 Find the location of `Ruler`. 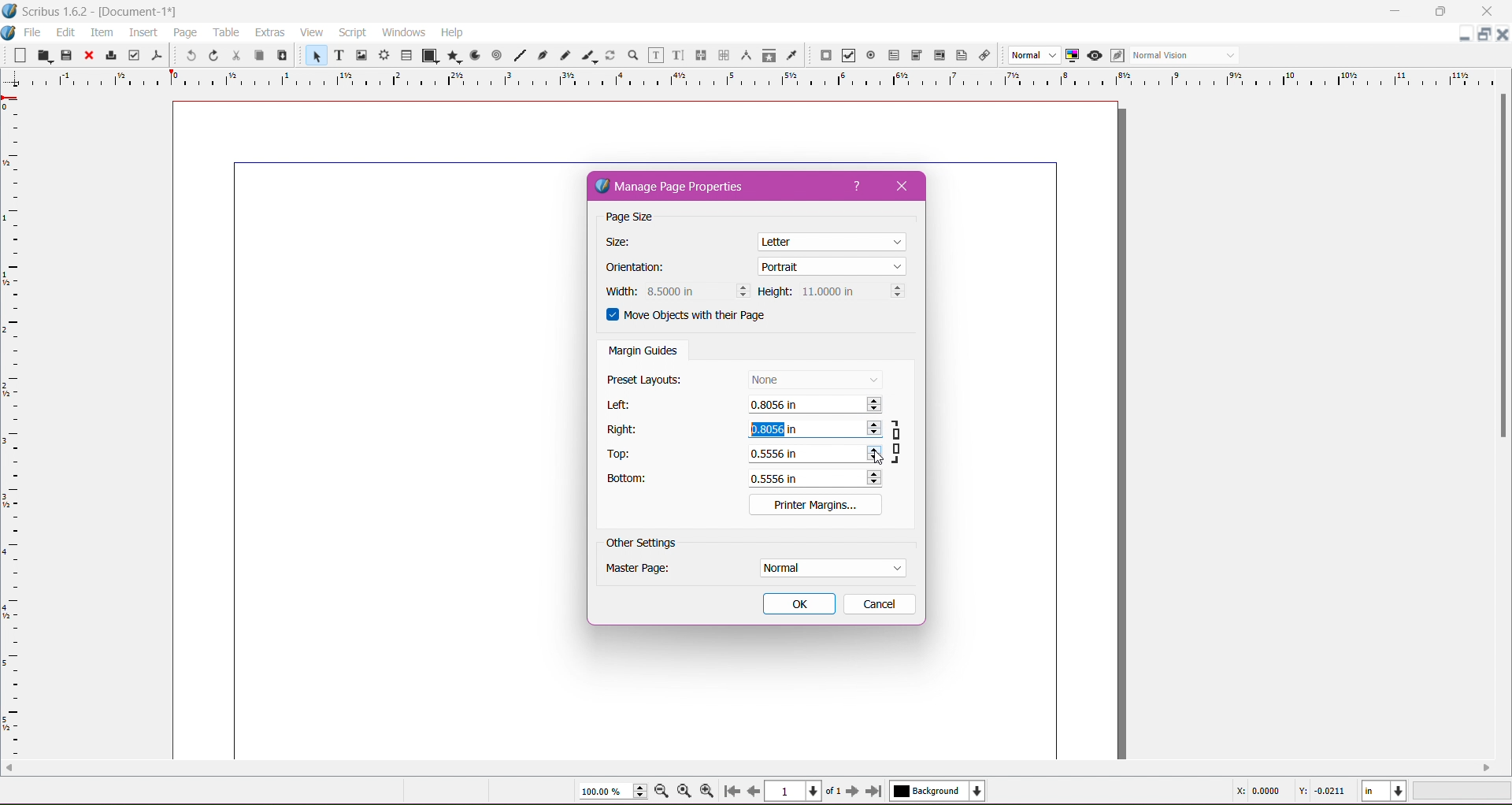

Ruler is located at coordinates (750, 79).